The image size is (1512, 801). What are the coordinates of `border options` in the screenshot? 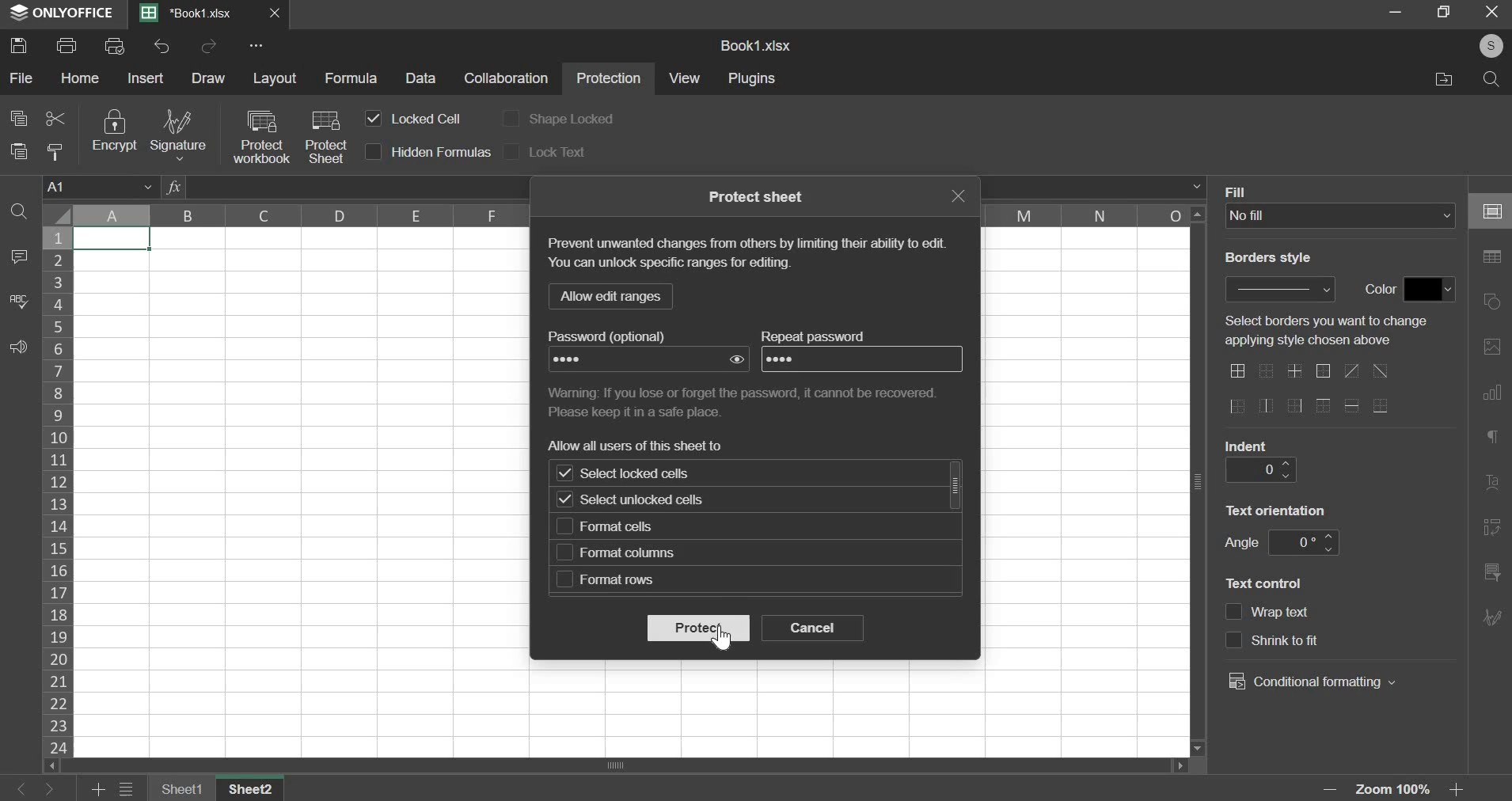 It's located at (1237, 407).